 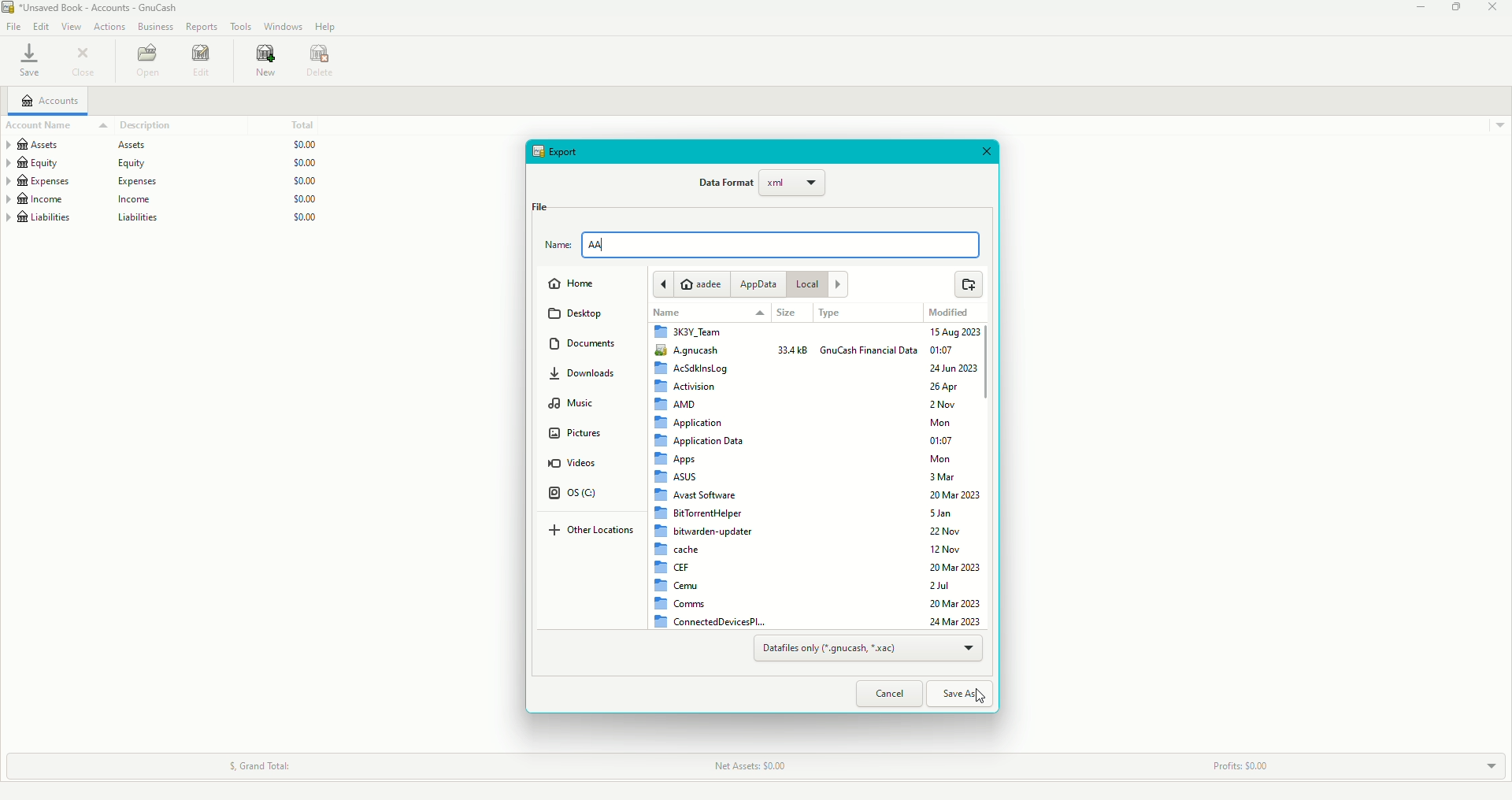 What do you see at coordinates (786, 313) in the screenshot?
I see `Size` at bounding box center [786, 313].